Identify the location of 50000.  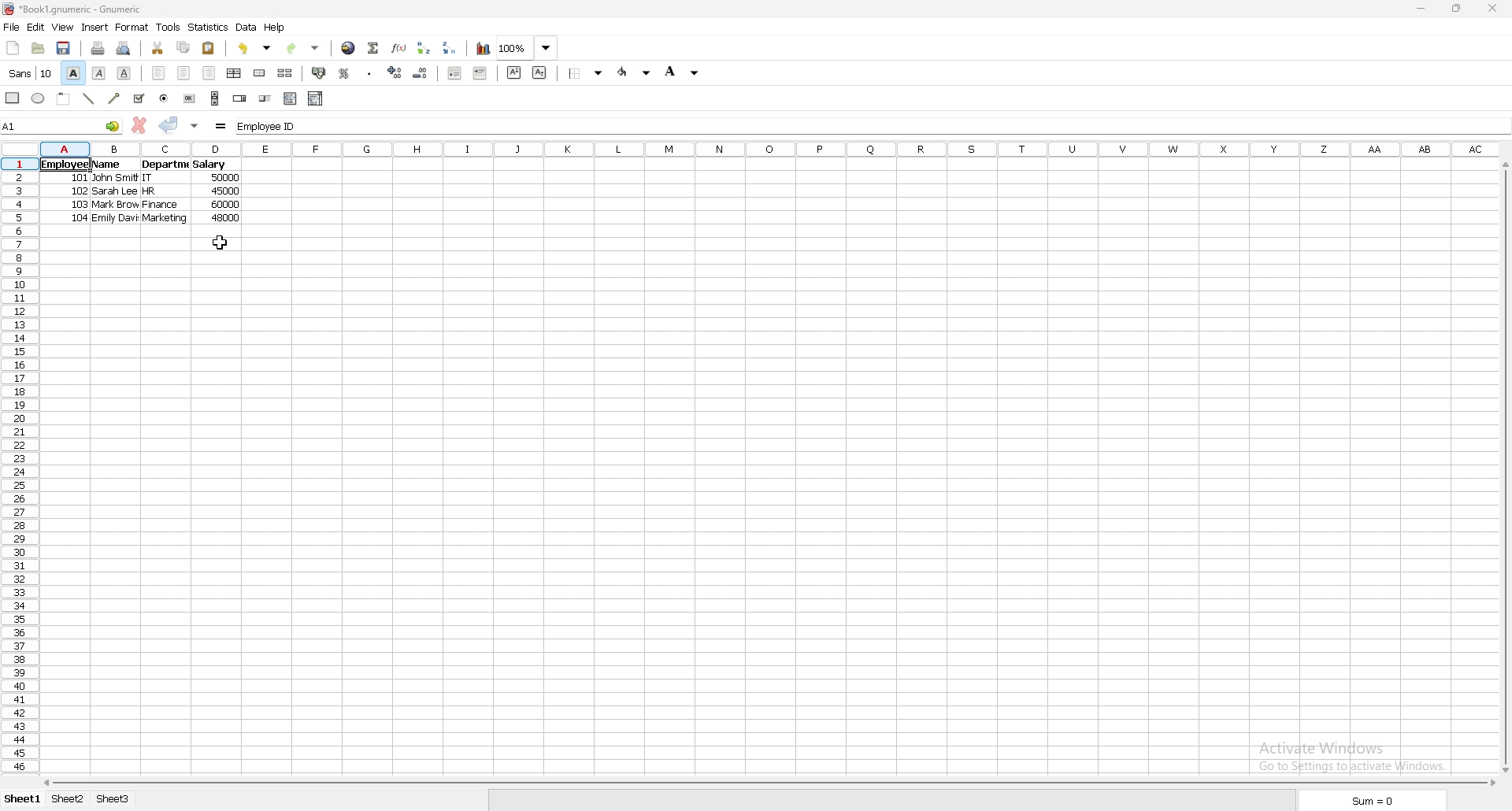
(225, 178).